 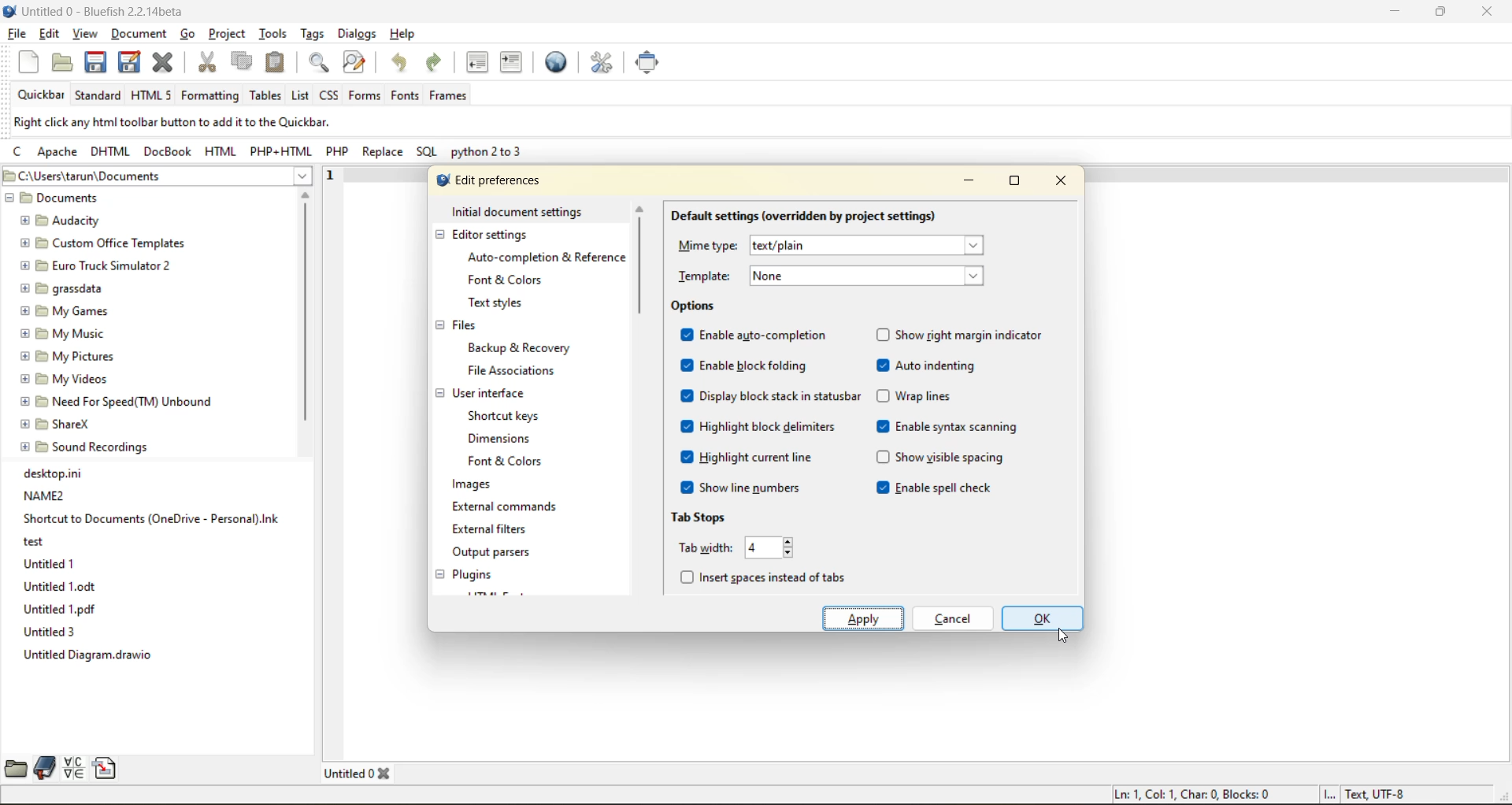 I want to click on user interface, so click(x=491, y=393).